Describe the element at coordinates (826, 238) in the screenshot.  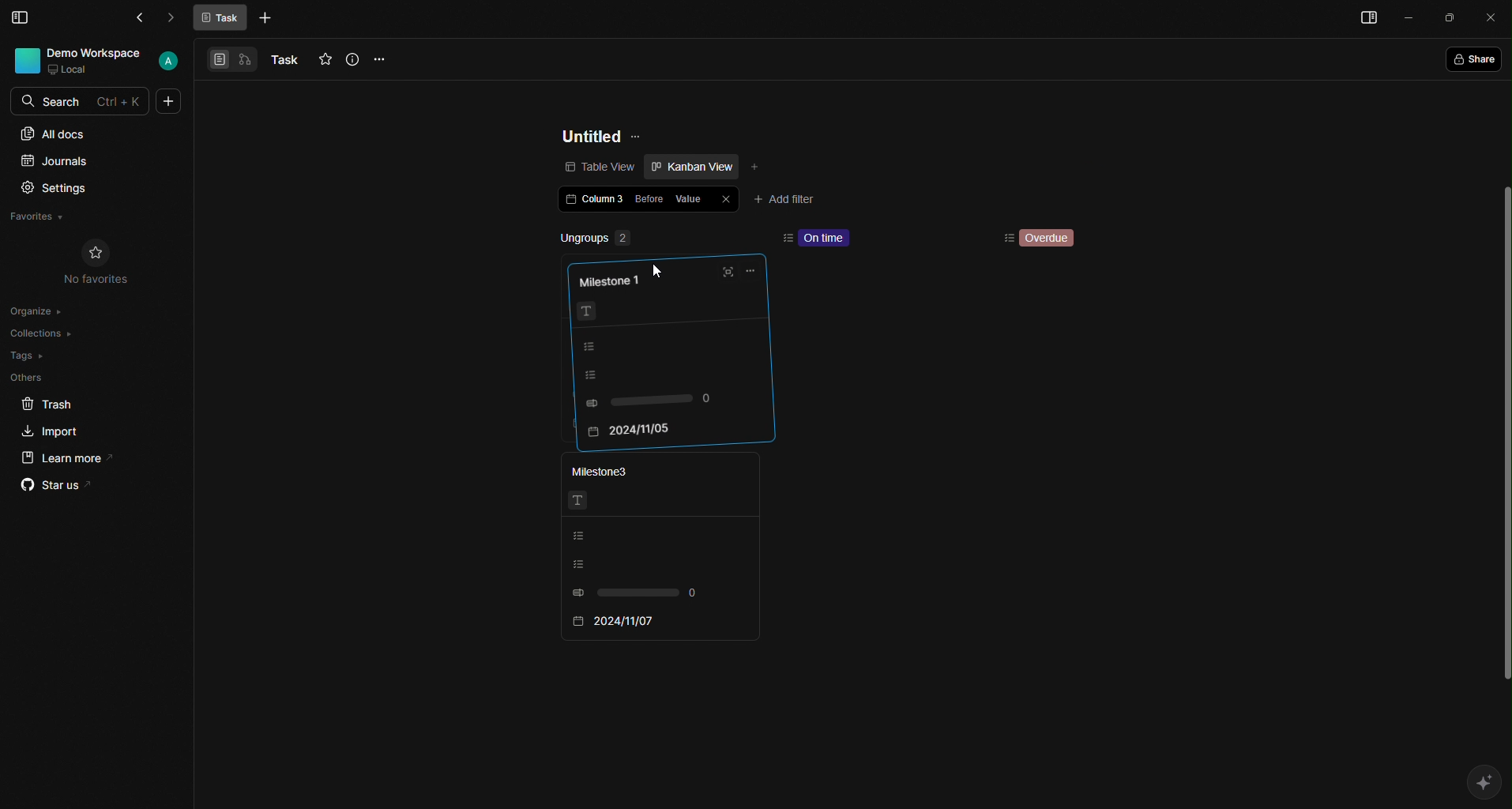
I see `On time` at that location.